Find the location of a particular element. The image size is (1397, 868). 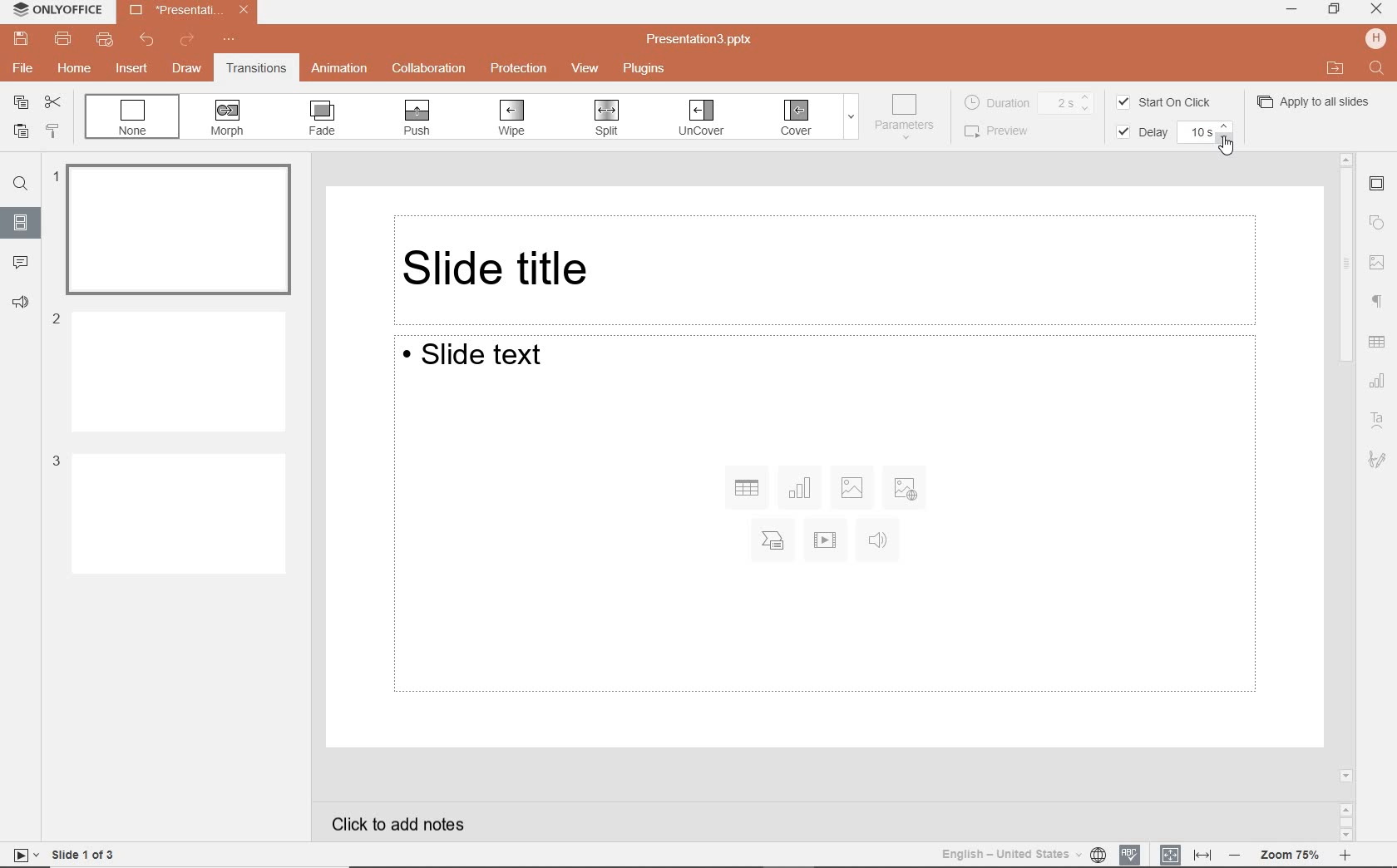

Slide 3 is located at coordinates (168, 512).